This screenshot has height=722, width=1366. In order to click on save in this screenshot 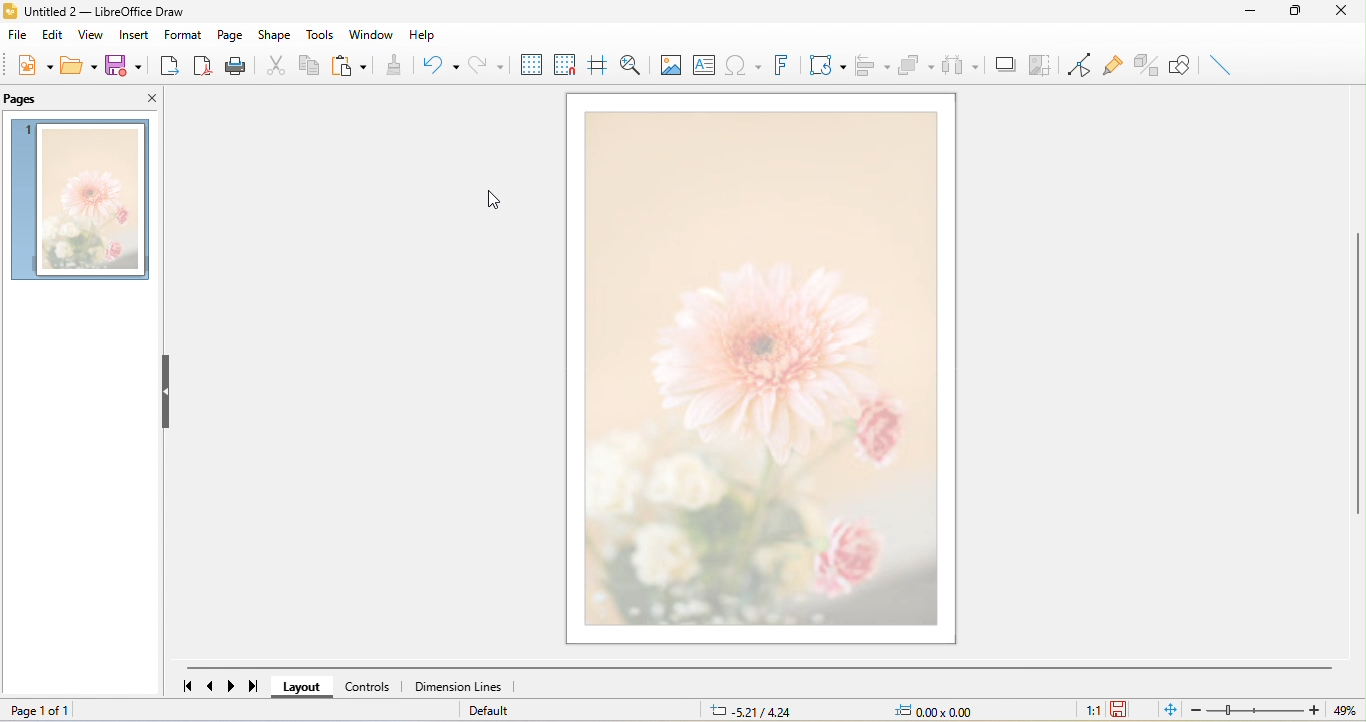, I will do `click(122, 64)`.